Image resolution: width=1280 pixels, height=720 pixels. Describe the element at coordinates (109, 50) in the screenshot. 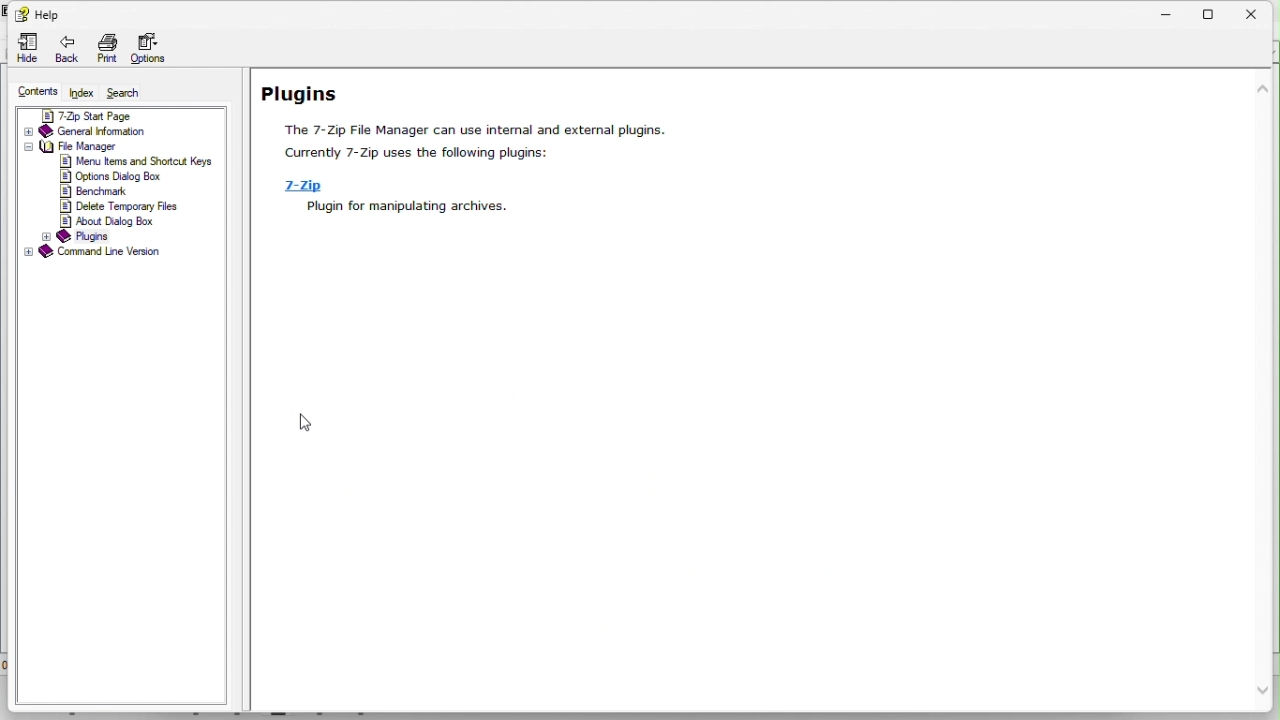

I see `Print` at that location.